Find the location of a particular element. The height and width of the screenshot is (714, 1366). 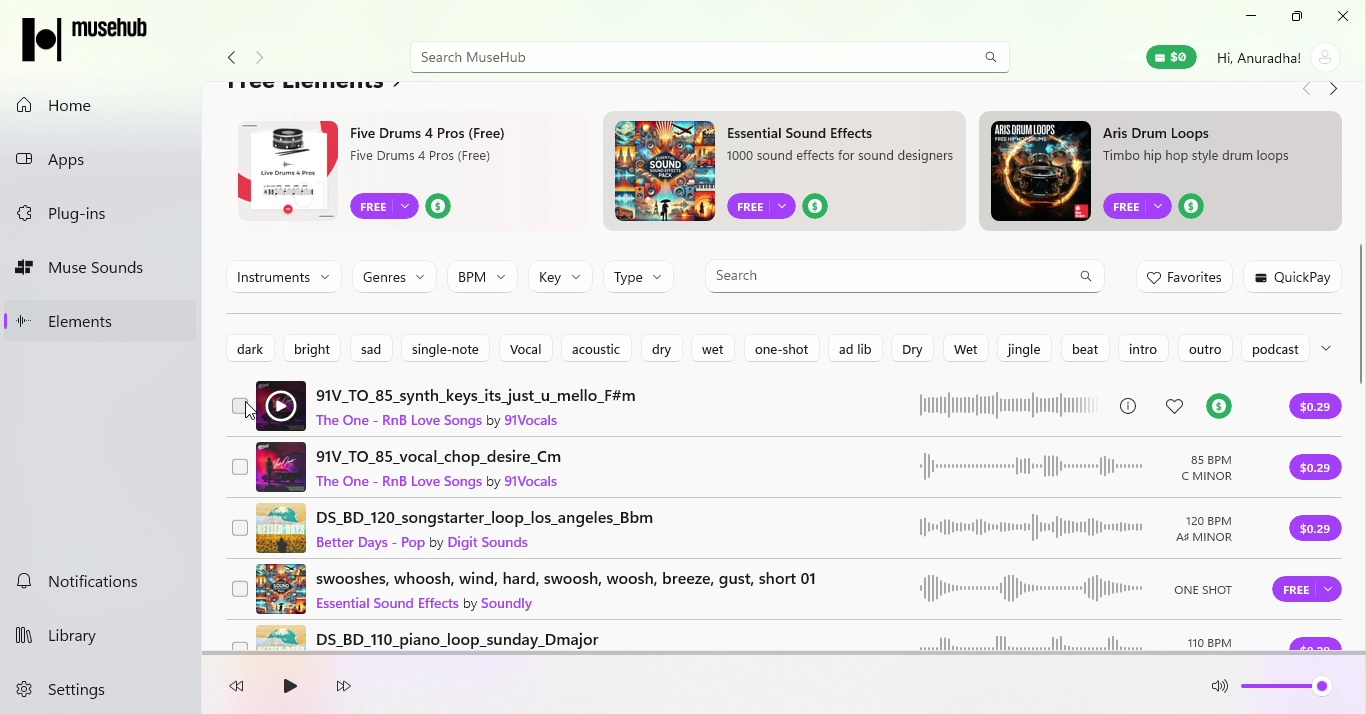

ad is located at coordinates (788, 174).